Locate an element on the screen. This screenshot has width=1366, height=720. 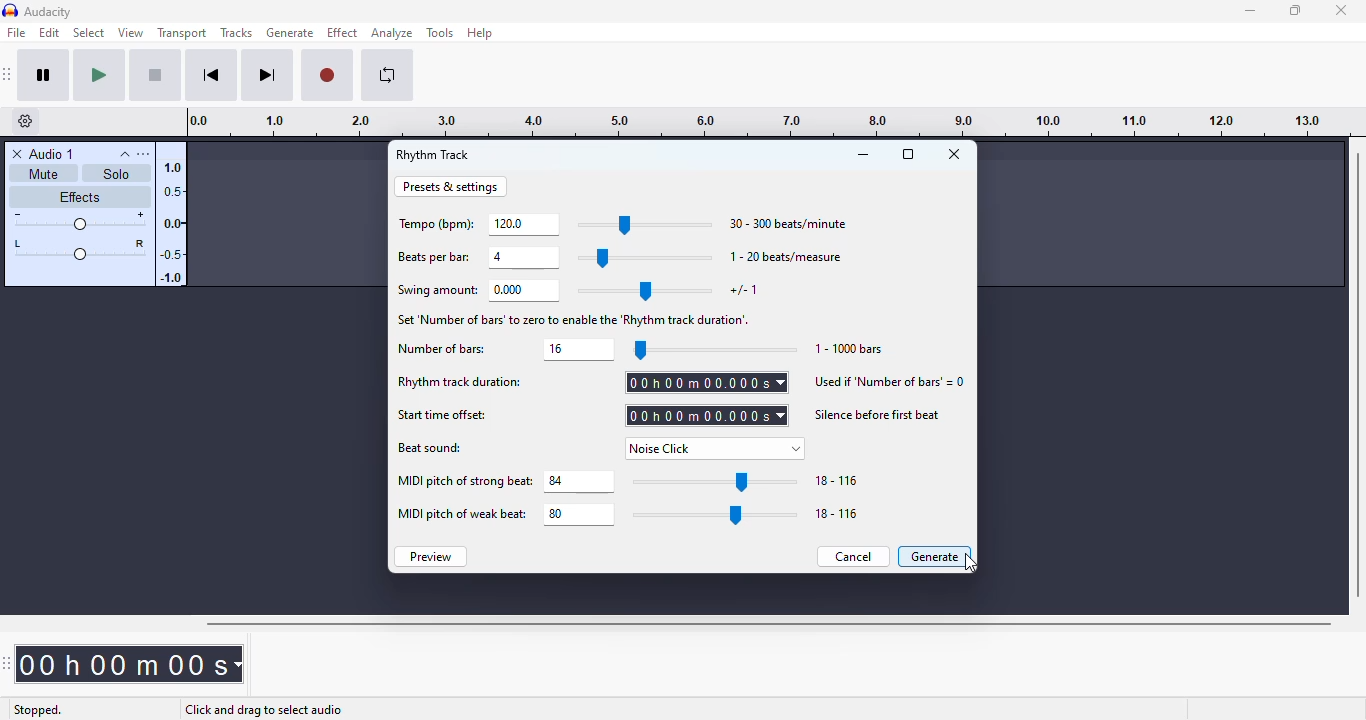
rhythm track is located at coordinates (434, 155).